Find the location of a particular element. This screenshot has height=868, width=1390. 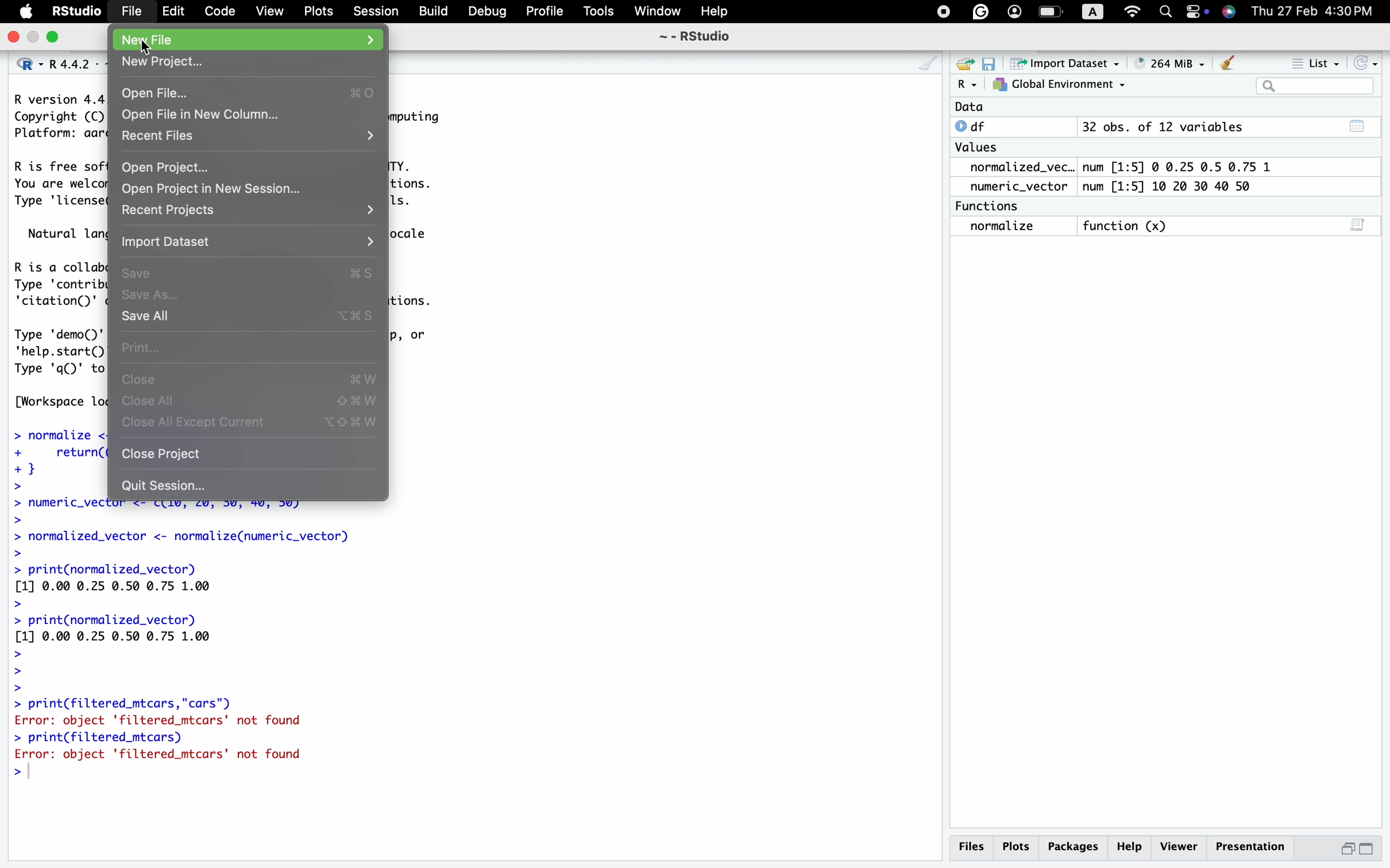

prompt cursor is located at coordinates (10, 774).